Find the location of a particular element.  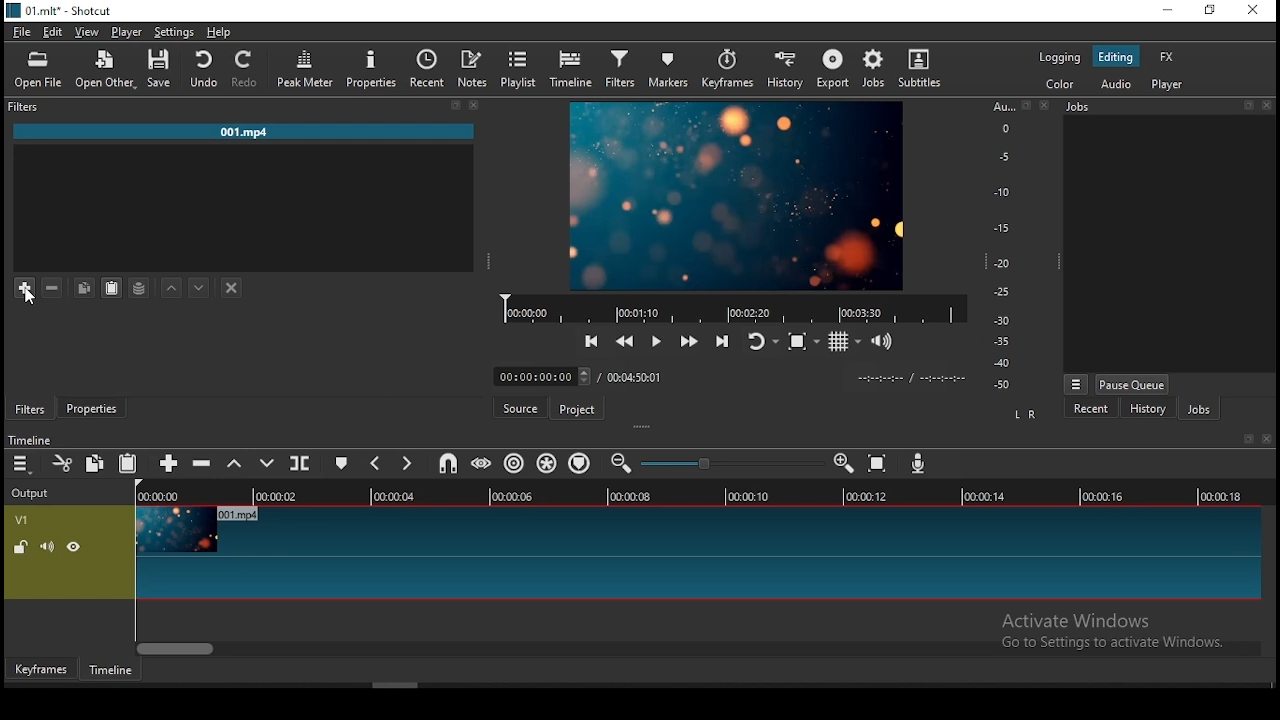

fullscreen is located at coordinates (1246, 438).